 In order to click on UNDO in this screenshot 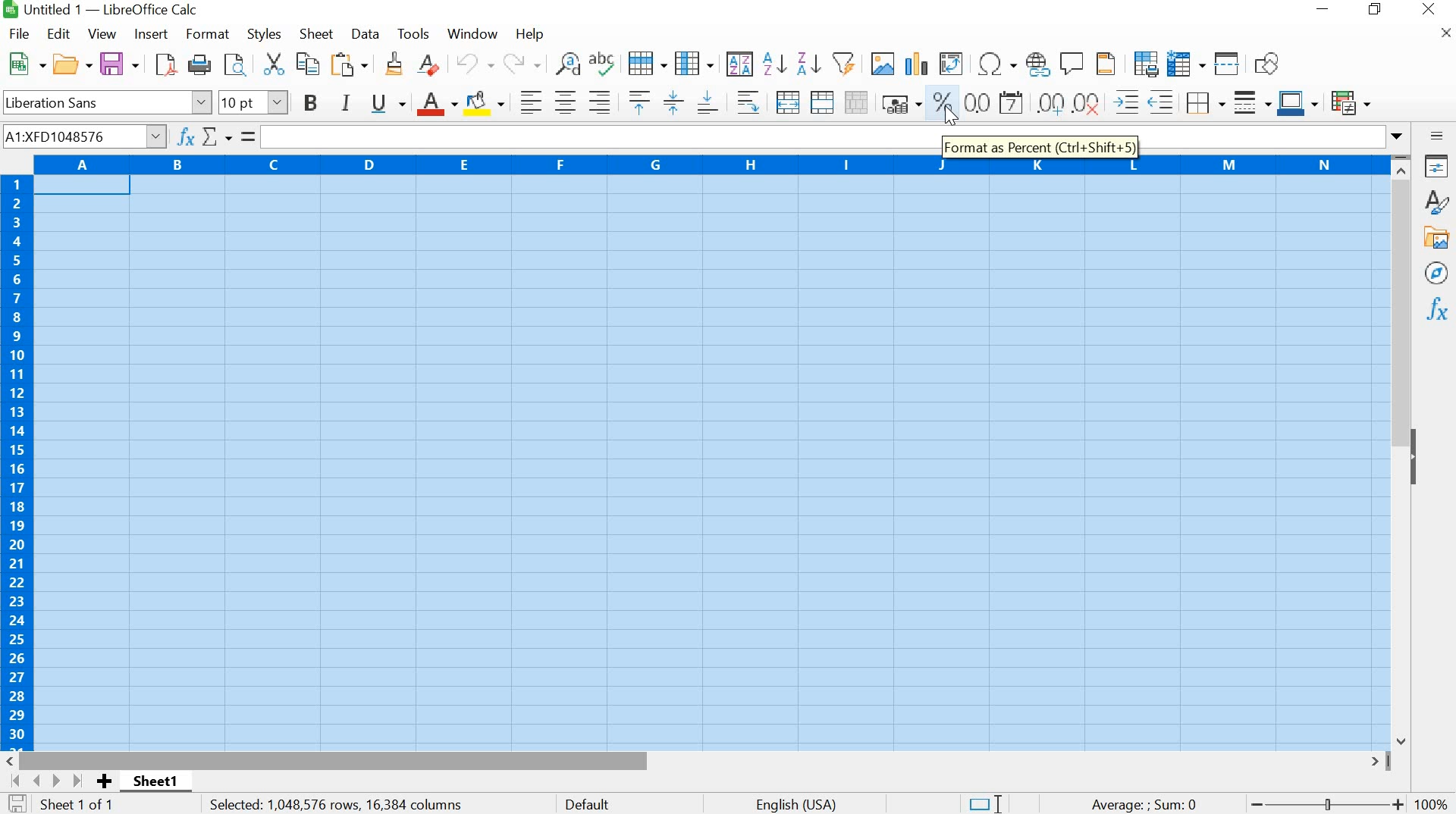, I will do `click(473, 64)`.